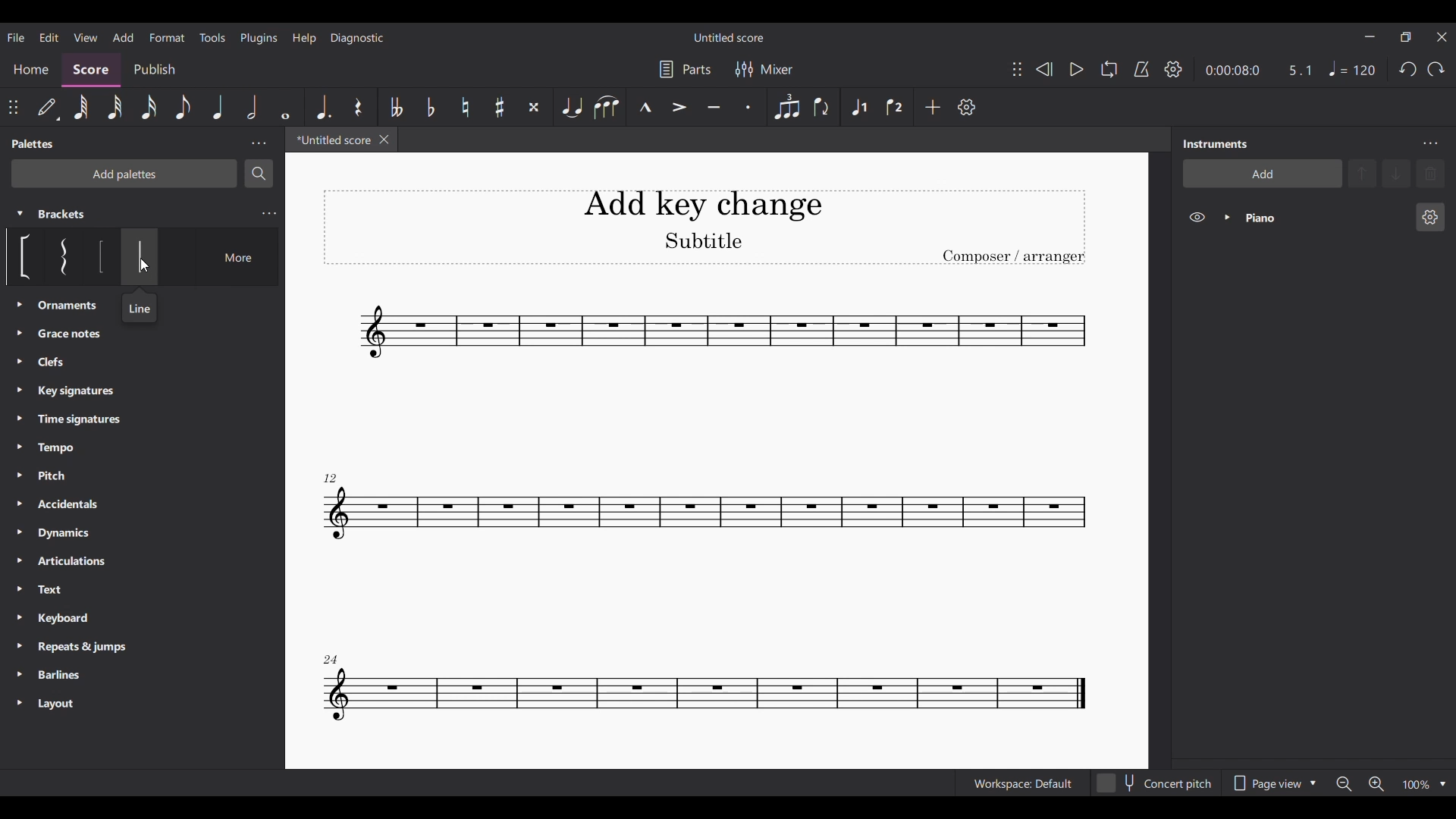  What do you see at coordinates (1325, 218) in the screenshot?
I see `Piano instrument` at bounding box center [1325, 218].